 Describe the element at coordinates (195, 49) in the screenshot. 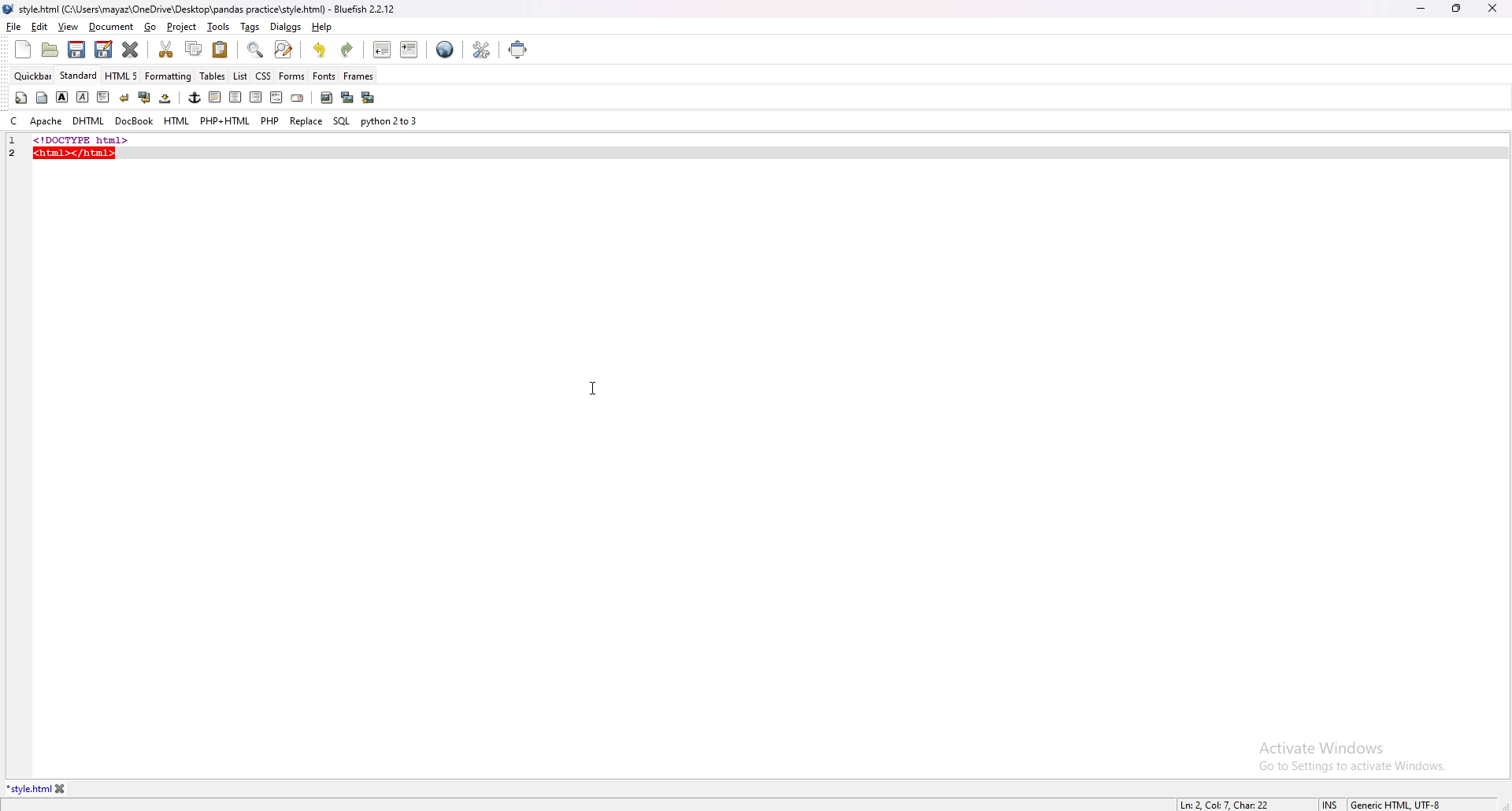

I see `copy` at that location.